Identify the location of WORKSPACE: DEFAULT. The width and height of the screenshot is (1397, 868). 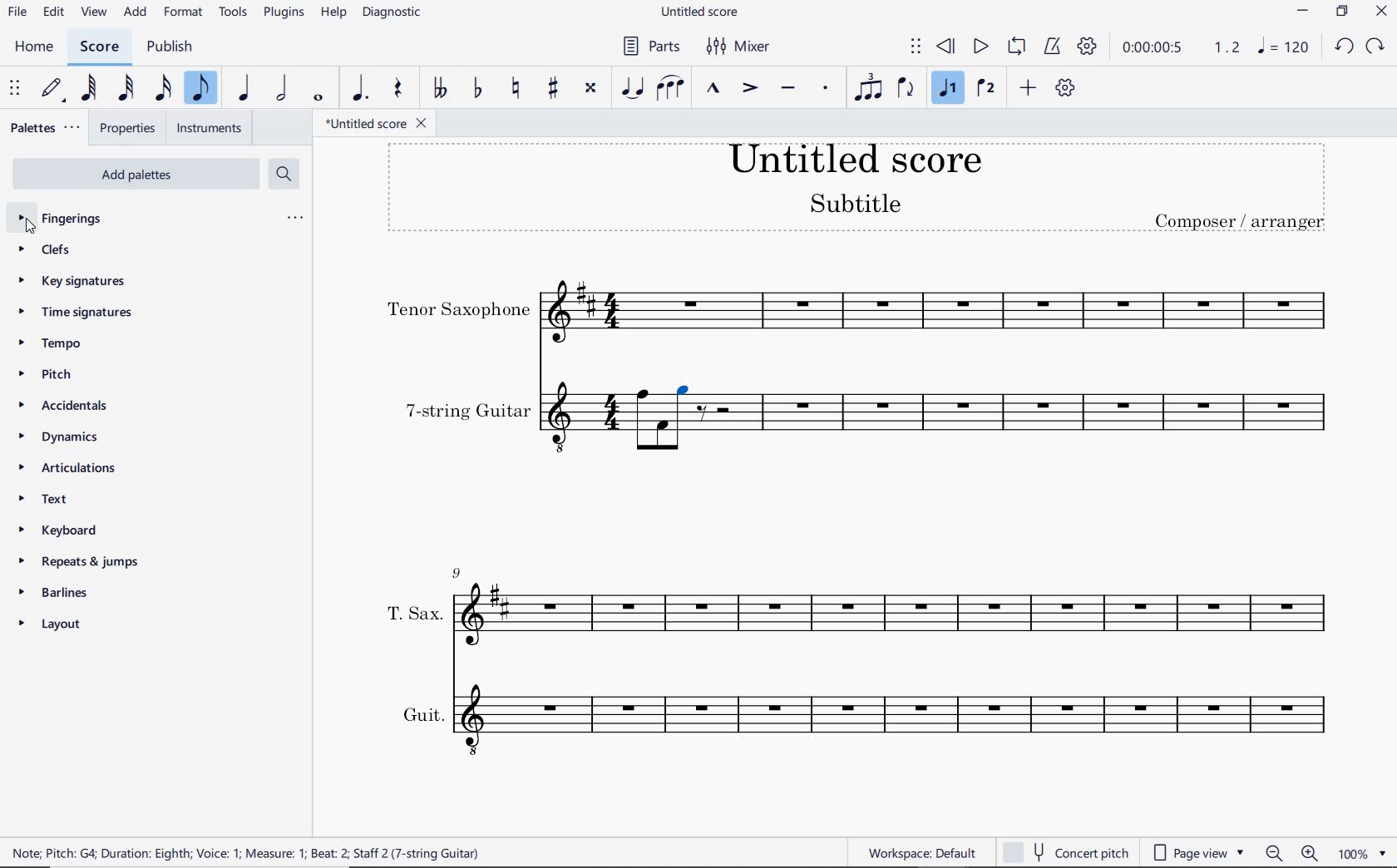
(925, 854).